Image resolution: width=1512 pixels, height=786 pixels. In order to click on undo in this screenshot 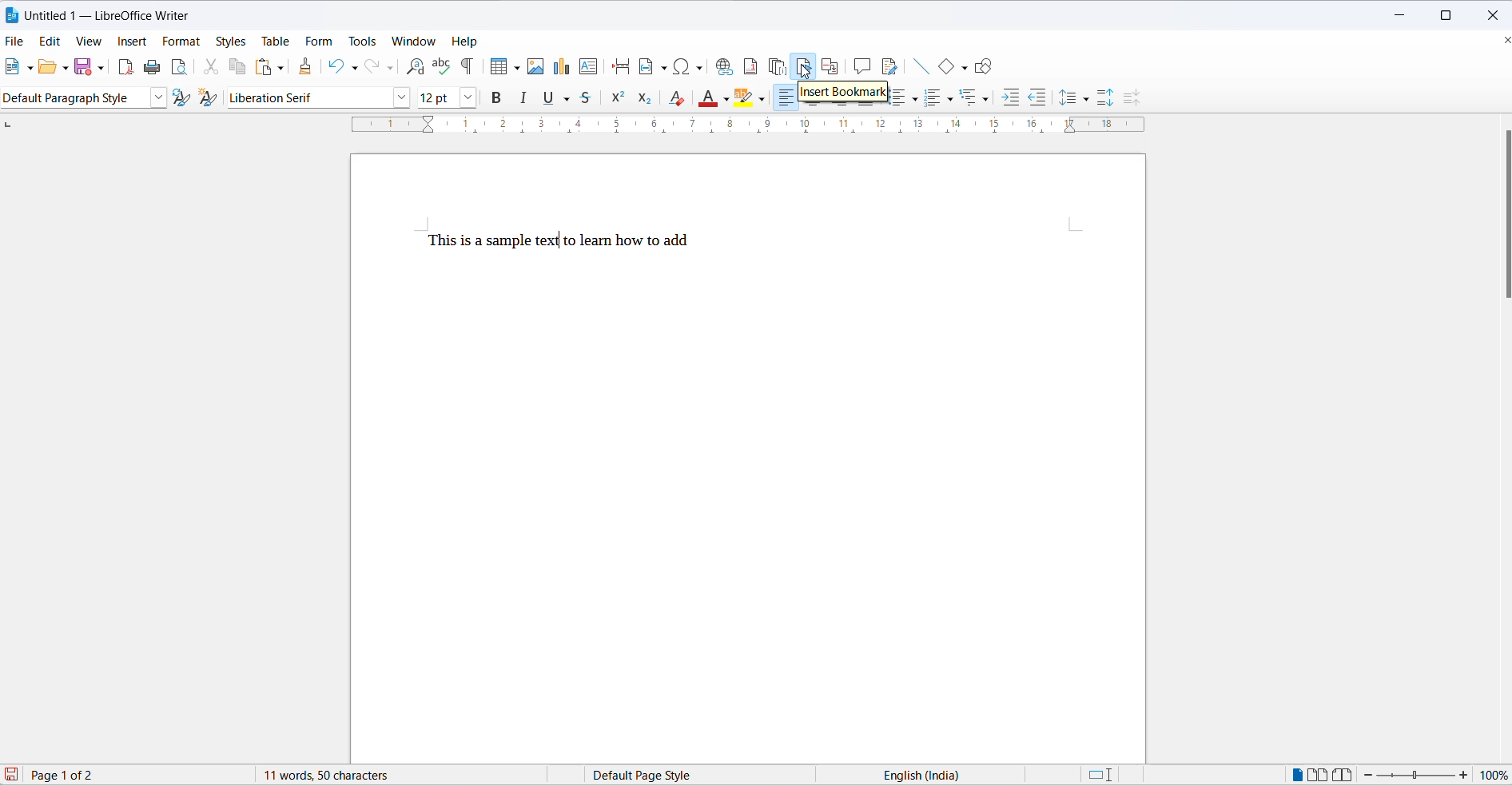, I will do `click(336, 67)`.